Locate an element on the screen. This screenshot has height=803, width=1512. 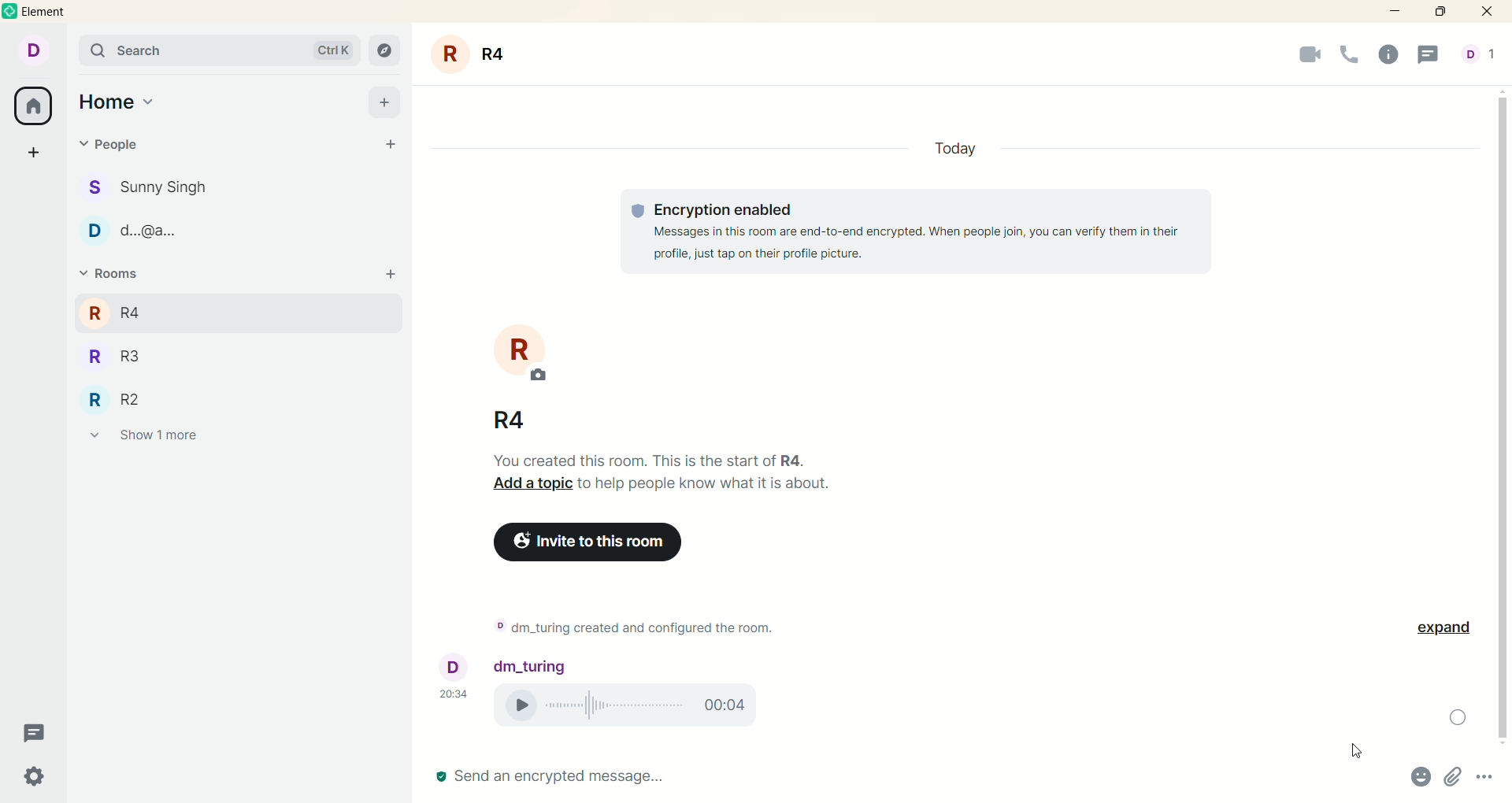
threads is located at coordinates (36, 734).